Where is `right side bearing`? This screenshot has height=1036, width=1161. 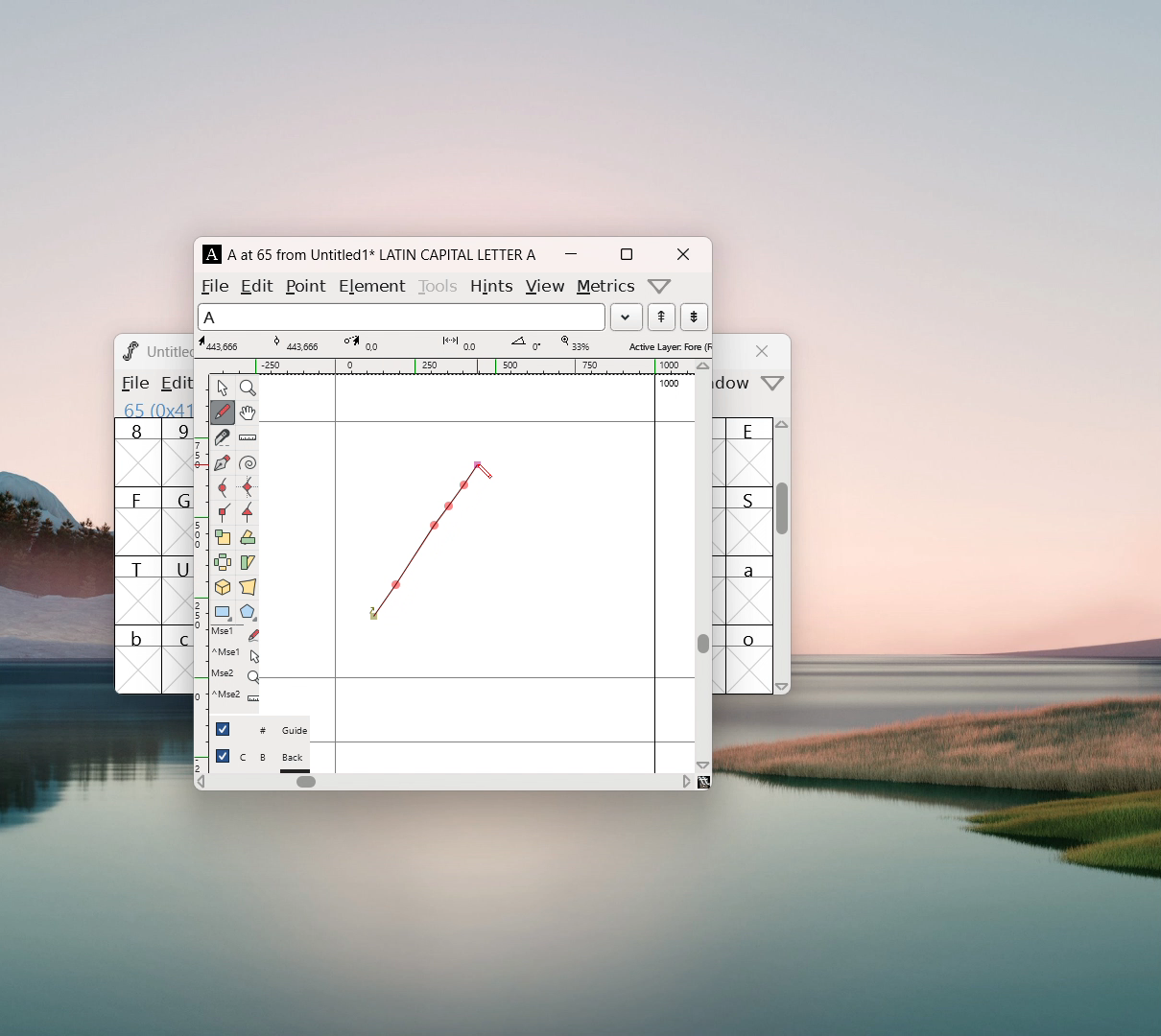 right side bearing is located at coordinates (655, 573).